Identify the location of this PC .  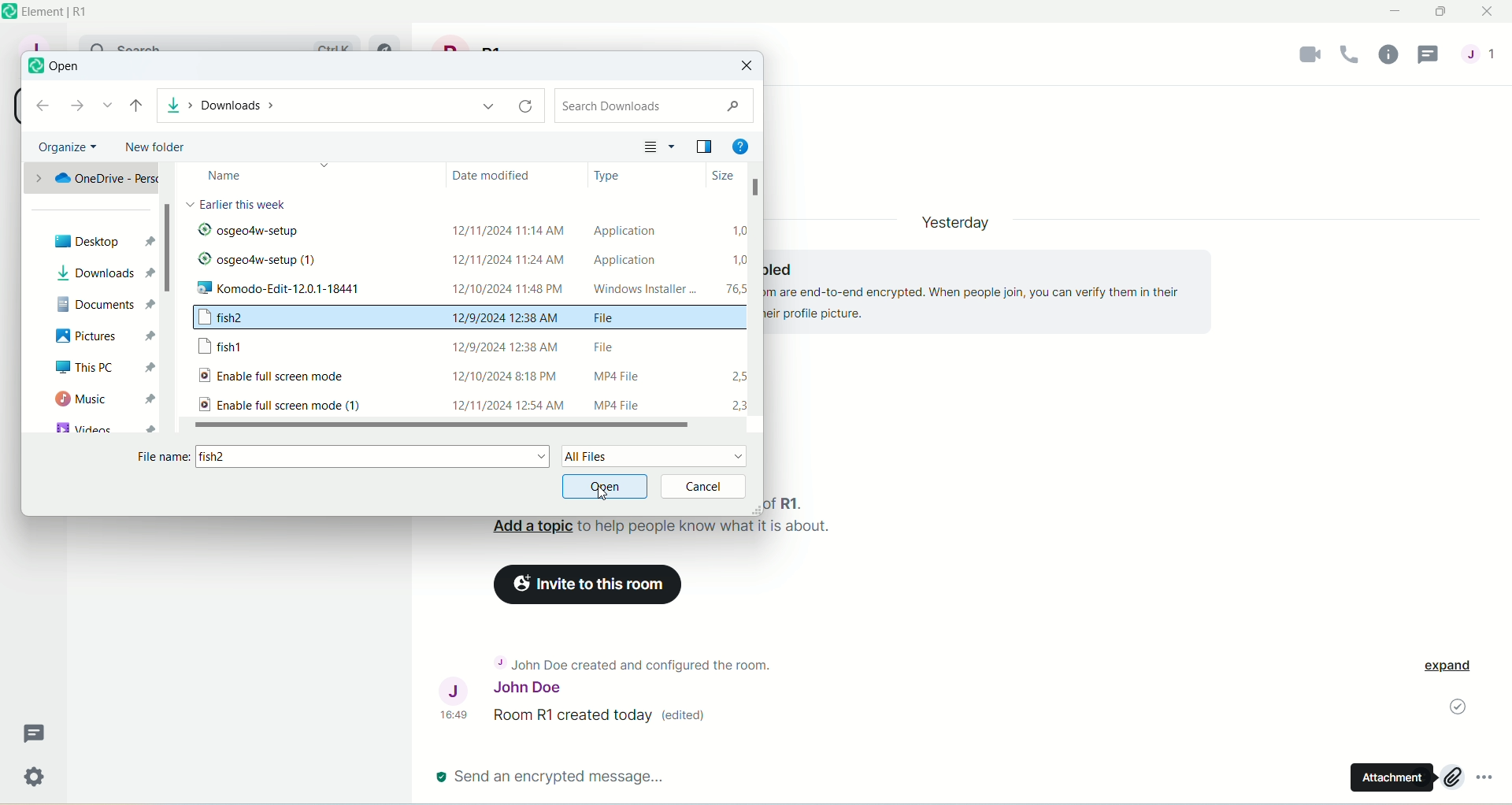
(105, 371).